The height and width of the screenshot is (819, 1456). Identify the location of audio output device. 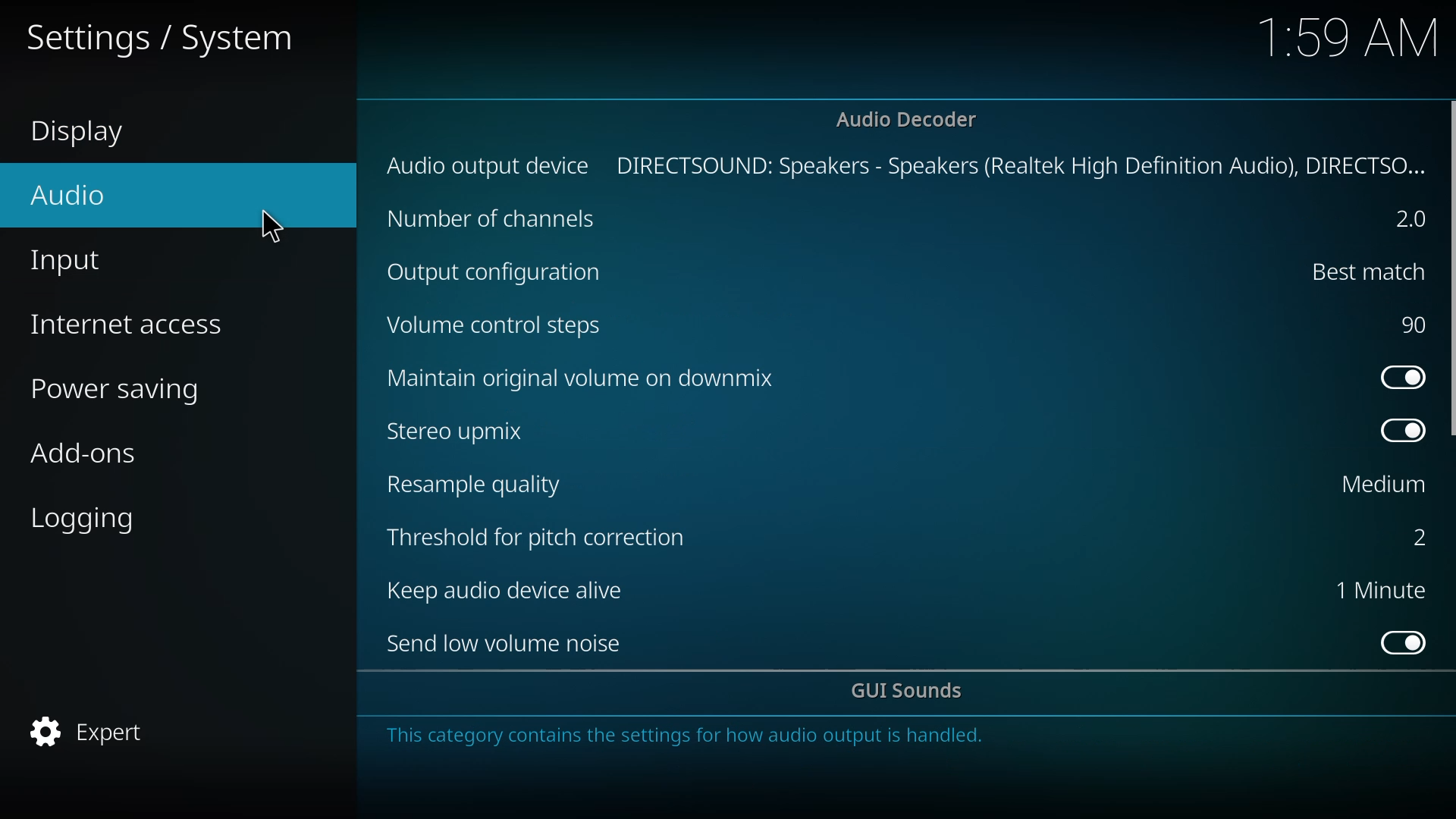
(489, 165).